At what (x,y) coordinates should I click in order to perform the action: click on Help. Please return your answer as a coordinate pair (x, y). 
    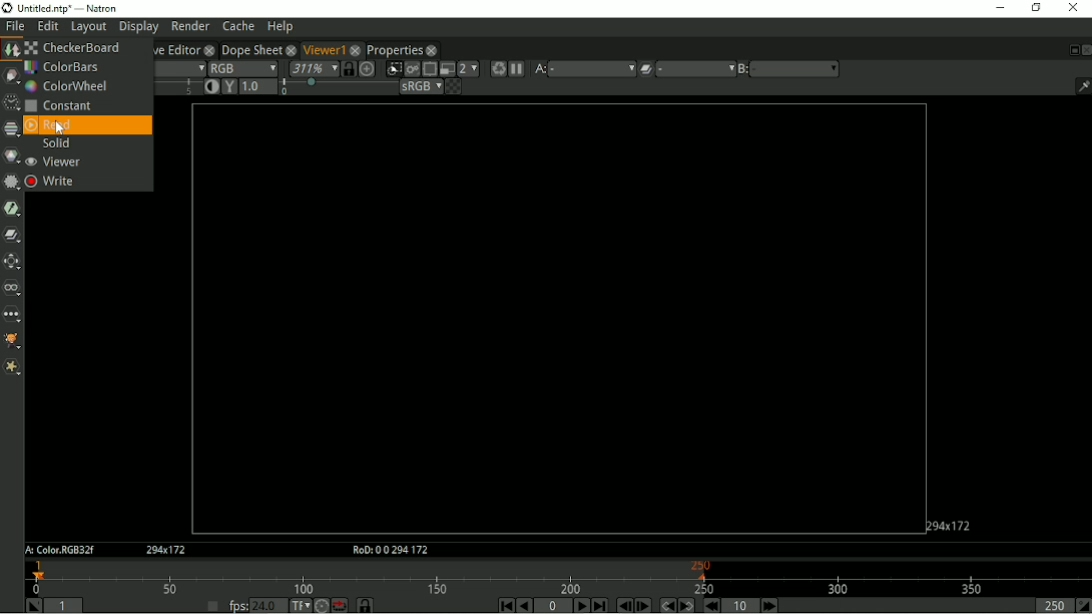
    Looking at the image, I should click on (281, 26).